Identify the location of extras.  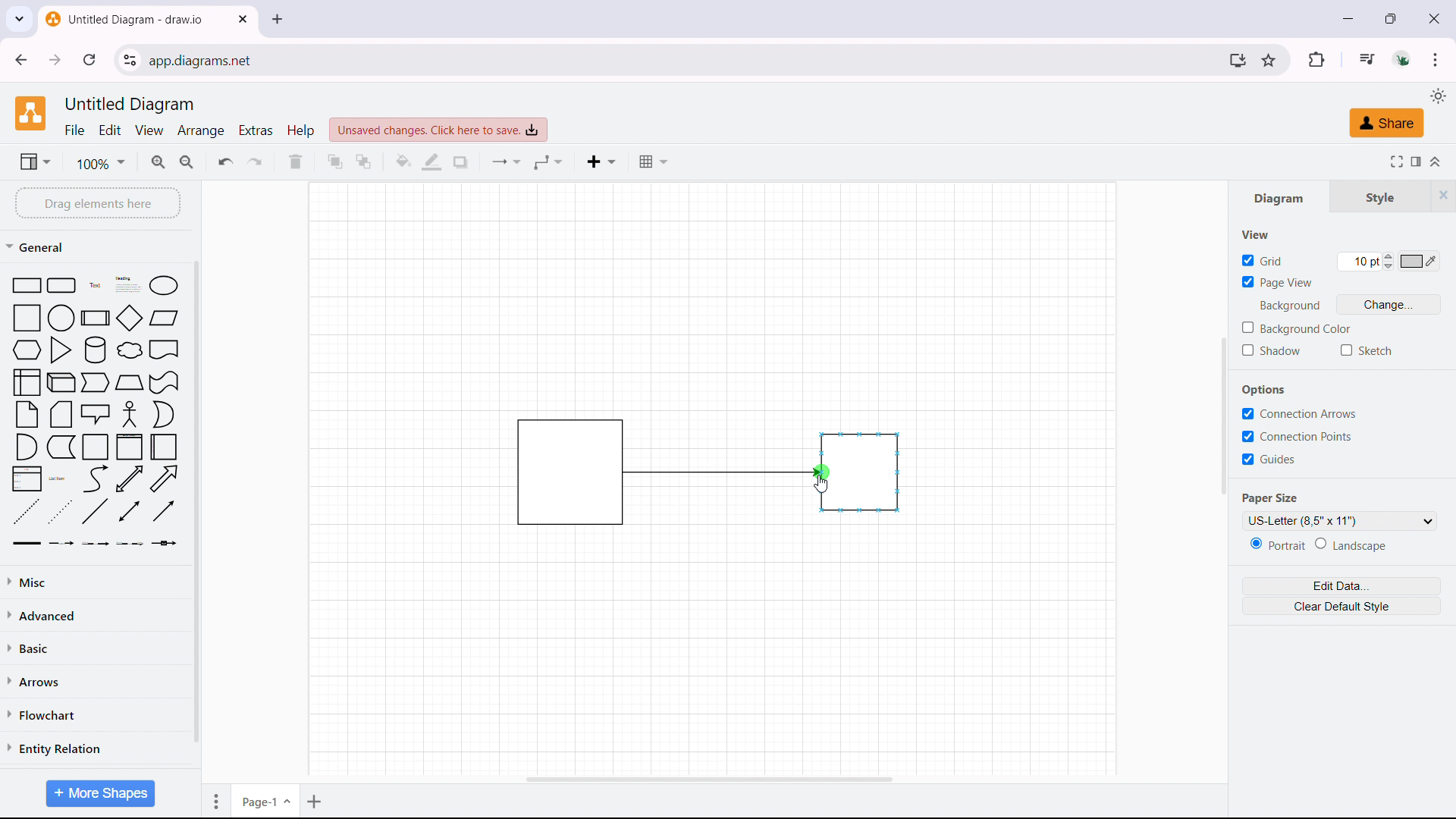
(256, 130).